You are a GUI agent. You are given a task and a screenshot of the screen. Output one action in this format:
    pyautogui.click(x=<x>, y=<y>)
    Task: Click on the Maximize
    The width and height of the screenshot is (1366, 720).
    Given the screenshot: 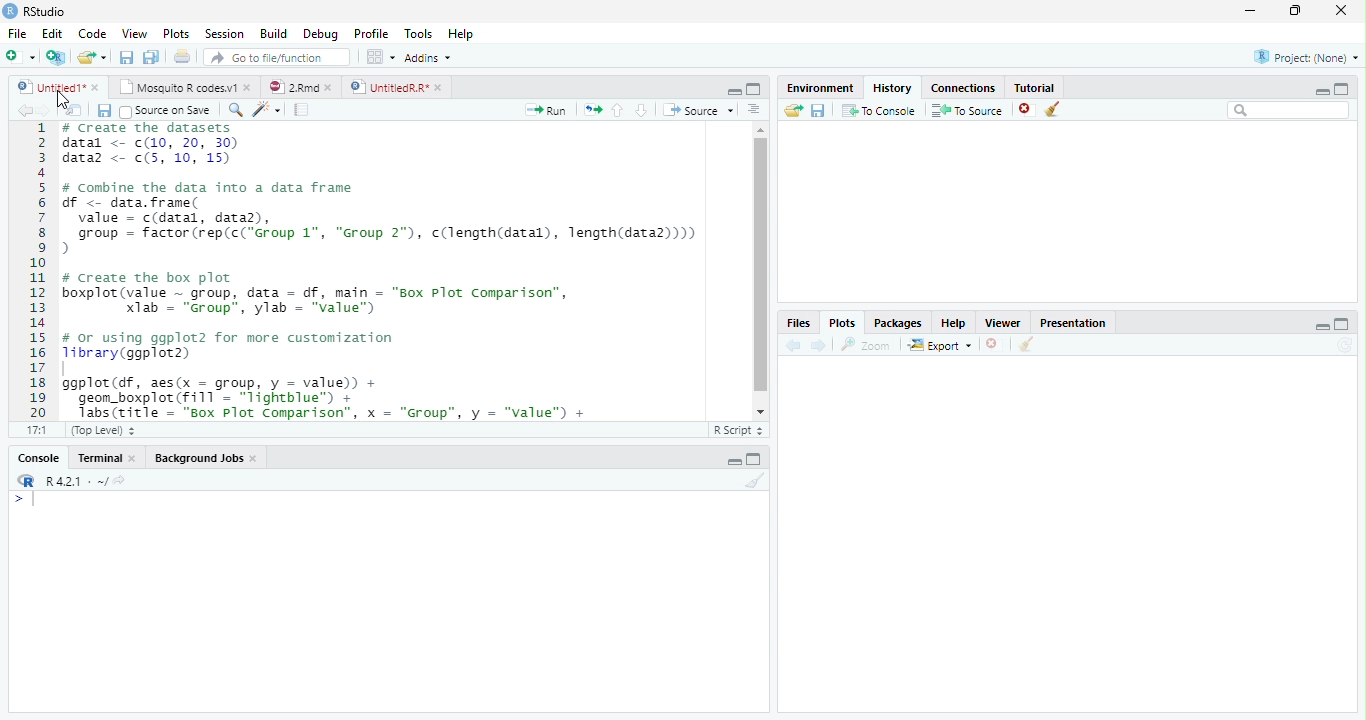 What is the action you would take?
    pyautogui.click(x=1342, y=324)
    